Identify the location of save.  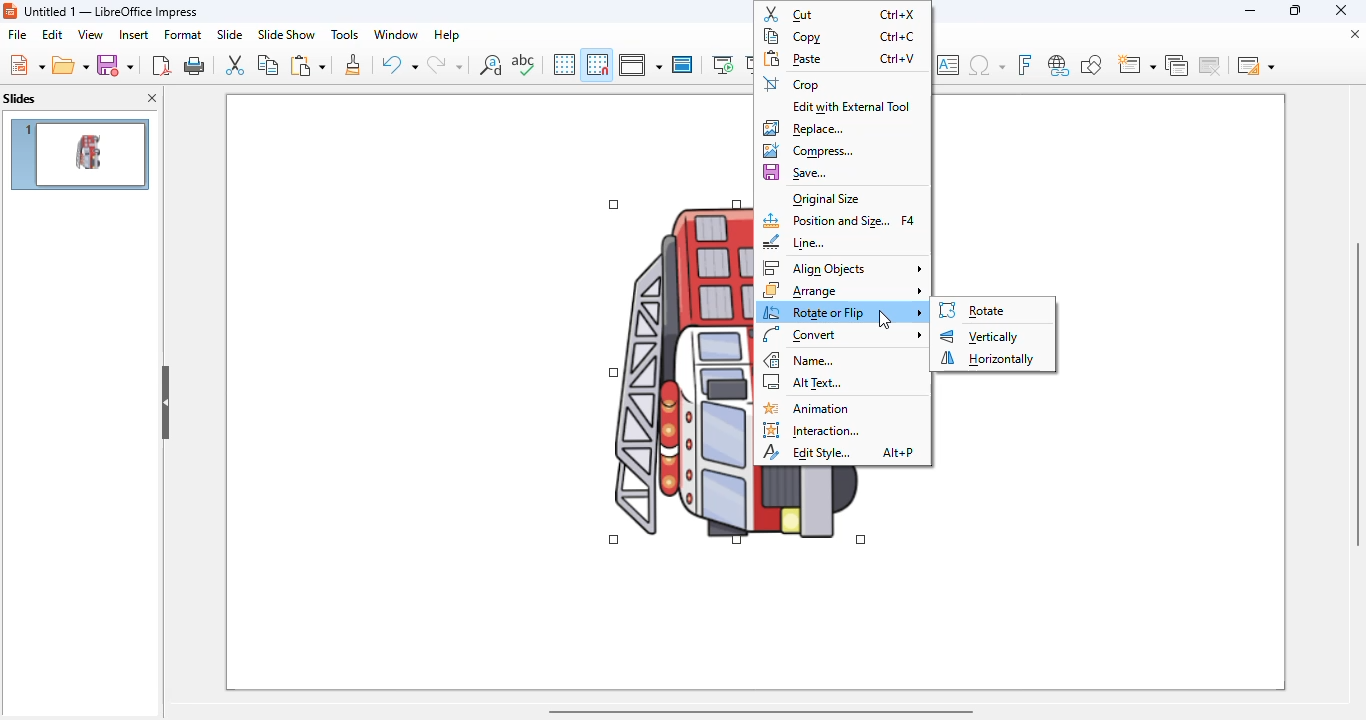
(116, 65).